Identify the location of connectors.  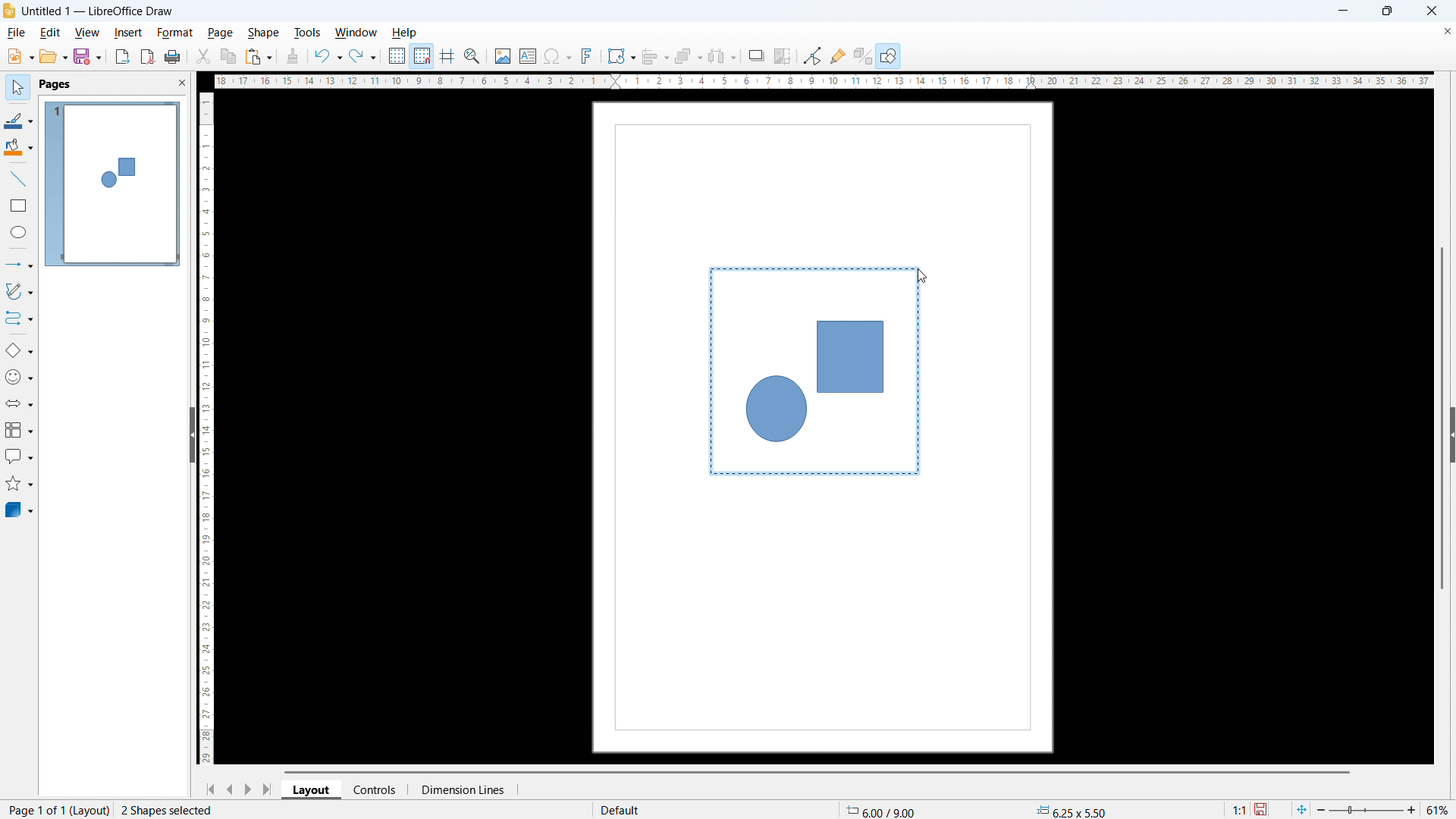
(20, 319).